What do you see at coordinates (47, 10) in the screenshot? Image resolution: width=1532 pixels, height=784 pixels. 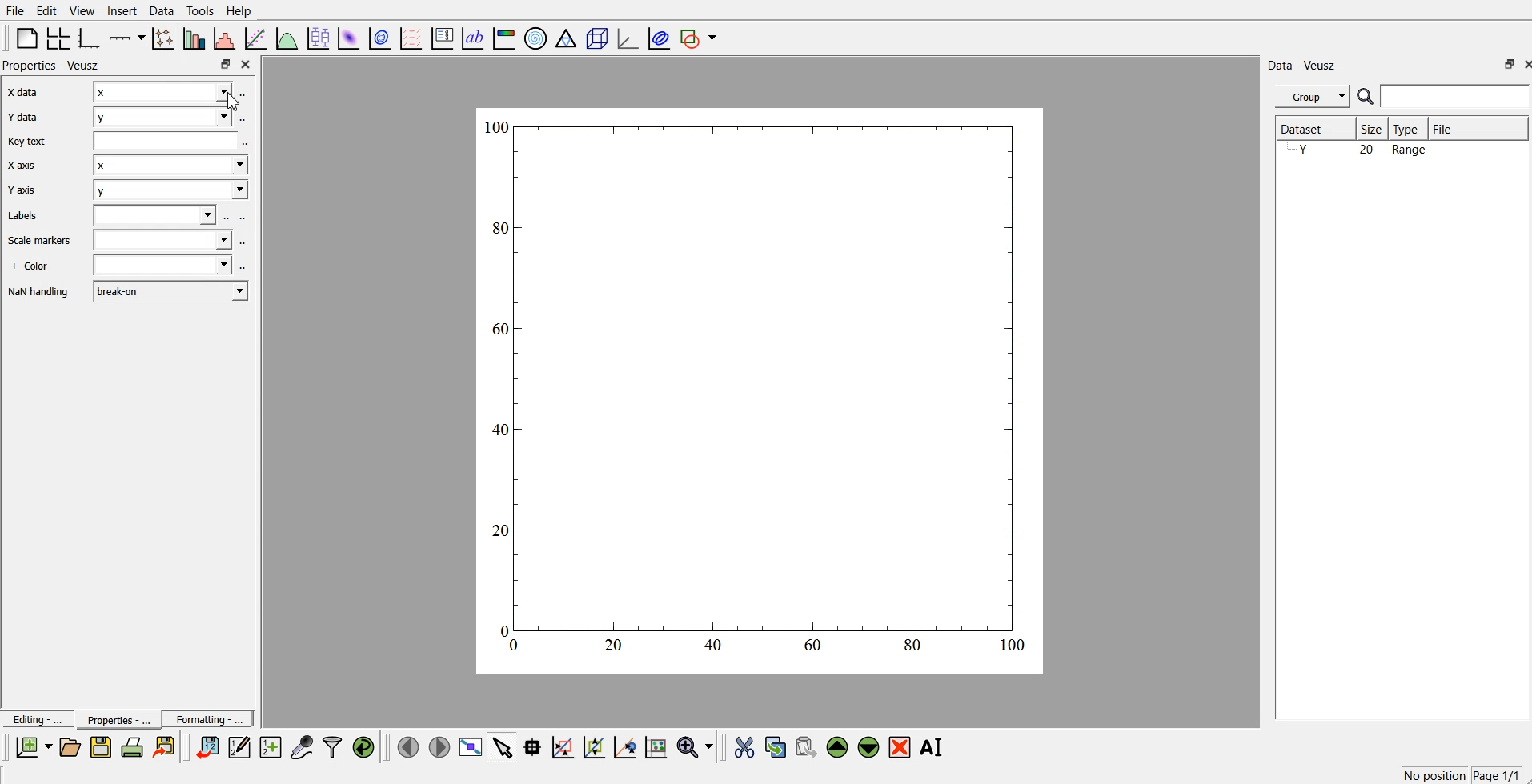 I see `Edit` at bounding box center [47, 10].